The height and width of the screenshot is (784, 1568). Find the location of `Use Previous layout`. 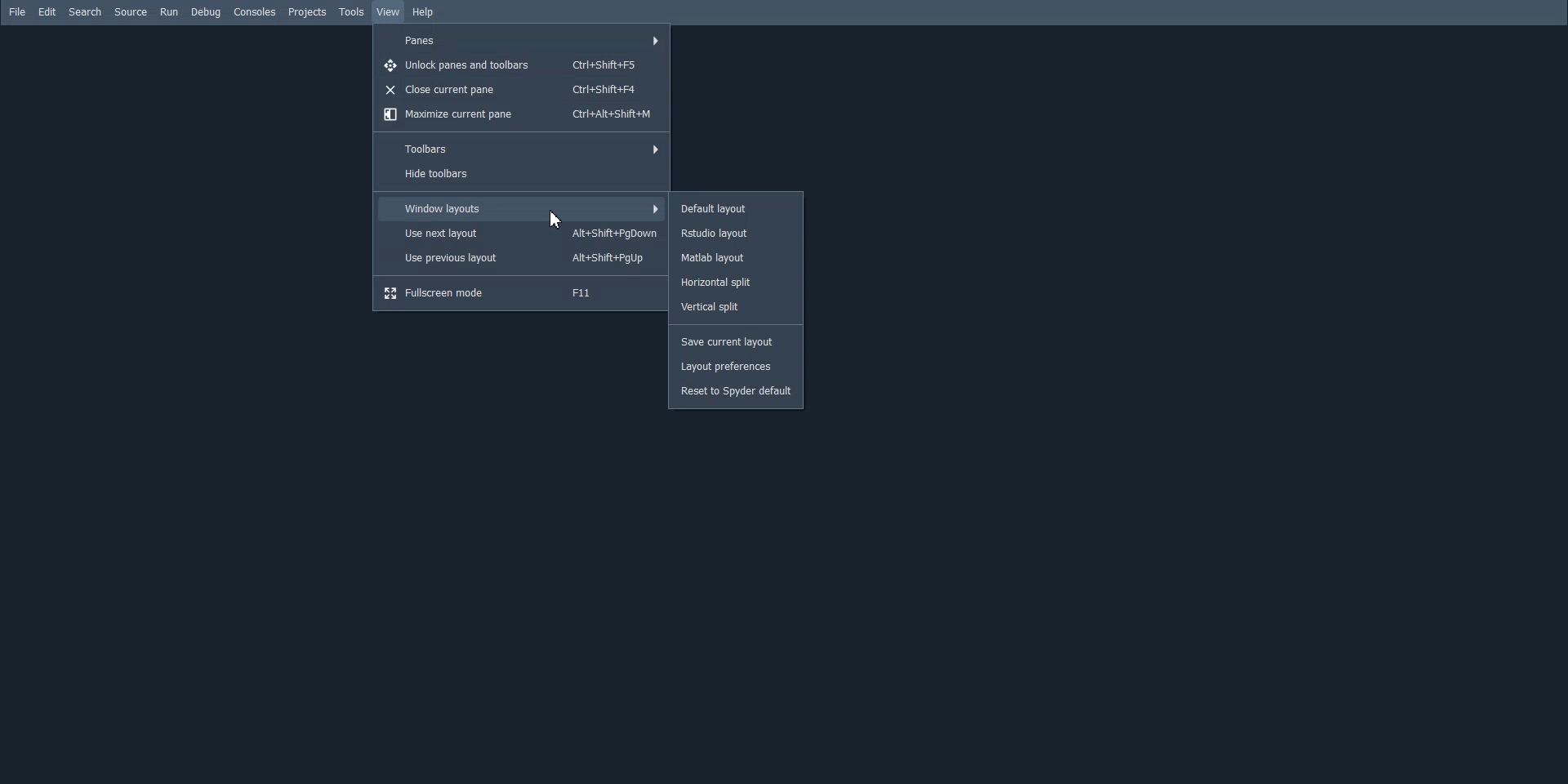

Use Previous layout is located at coordinates (519, 258).